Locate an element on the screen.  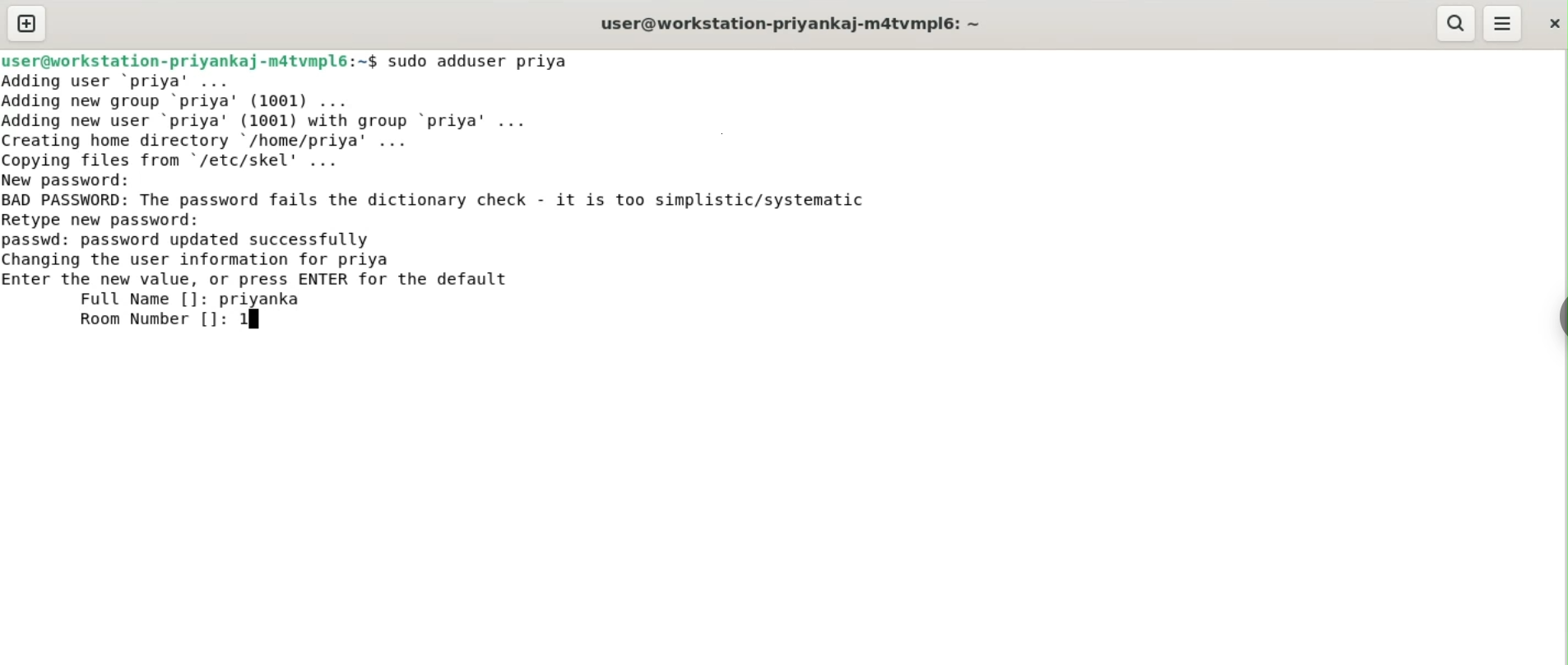
close is located at coordinates (1552, 23).